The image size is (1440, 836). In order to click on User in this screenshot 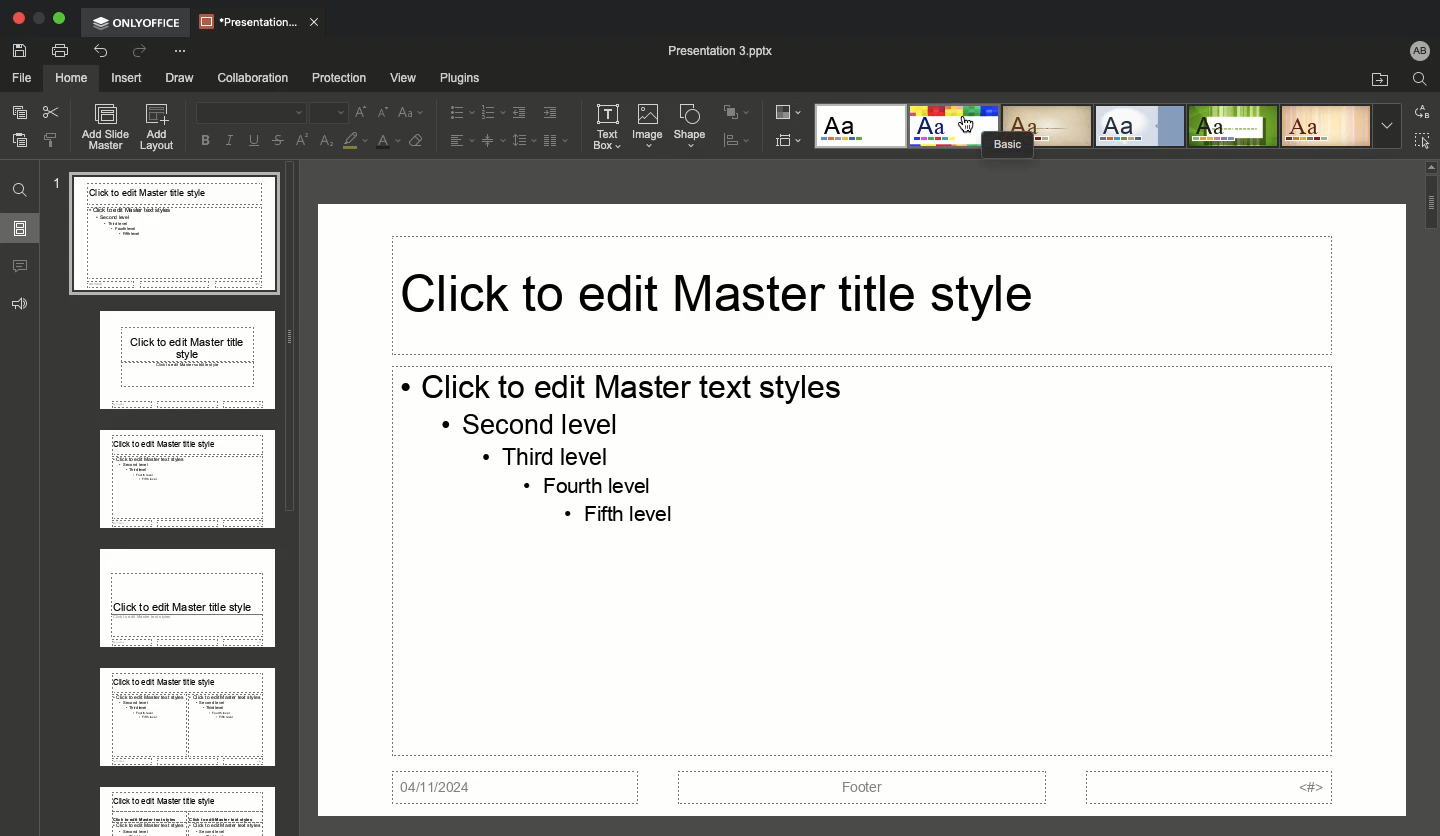, I will do `click(1418, 49)`.